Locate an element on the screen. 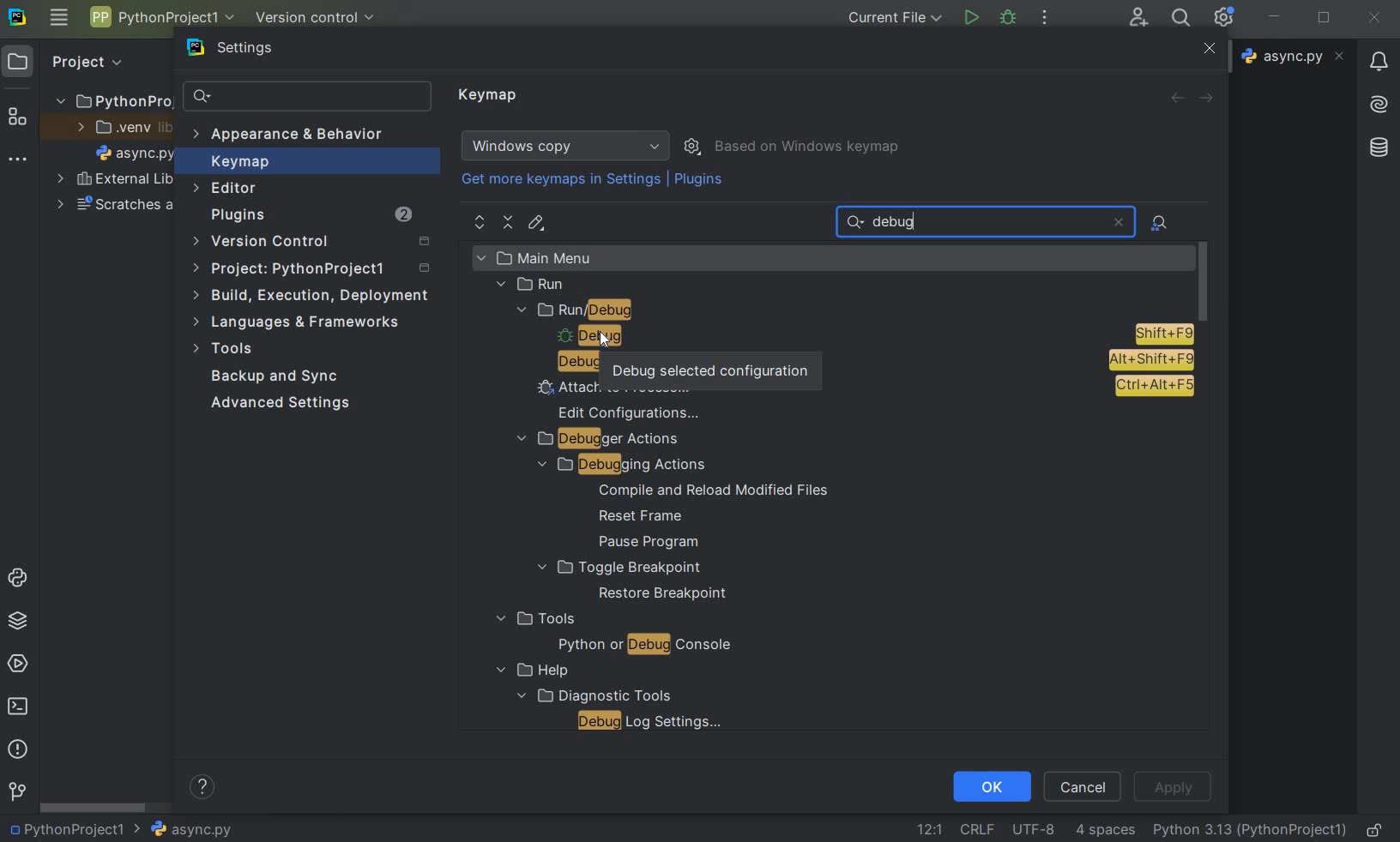  backup and sync is located at coordinates (275, 378).